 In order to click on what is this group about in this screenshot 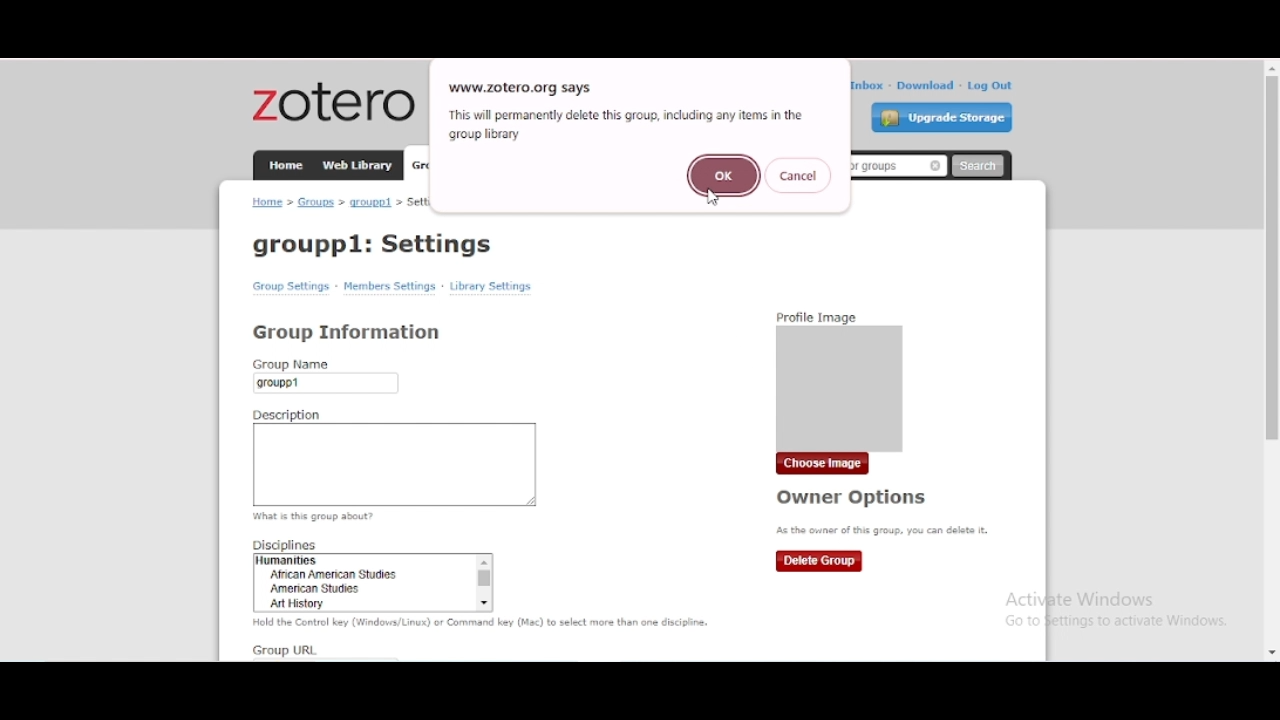, I will do `click(316, 517)`.